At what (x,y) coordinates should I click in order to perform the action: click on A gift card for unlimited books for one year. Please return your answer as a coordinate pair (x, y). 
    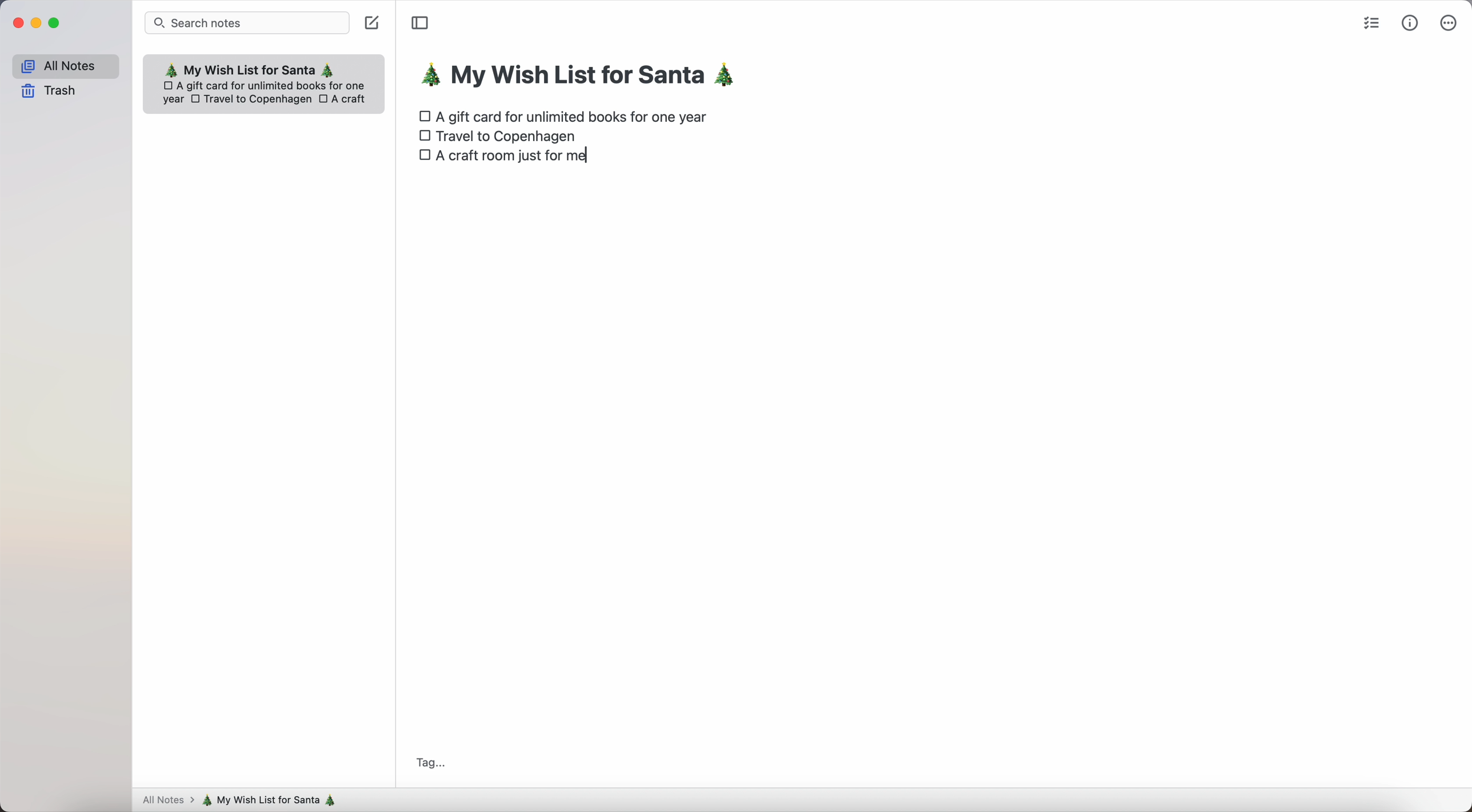
    Looking at the image, I should click on (576, 115).